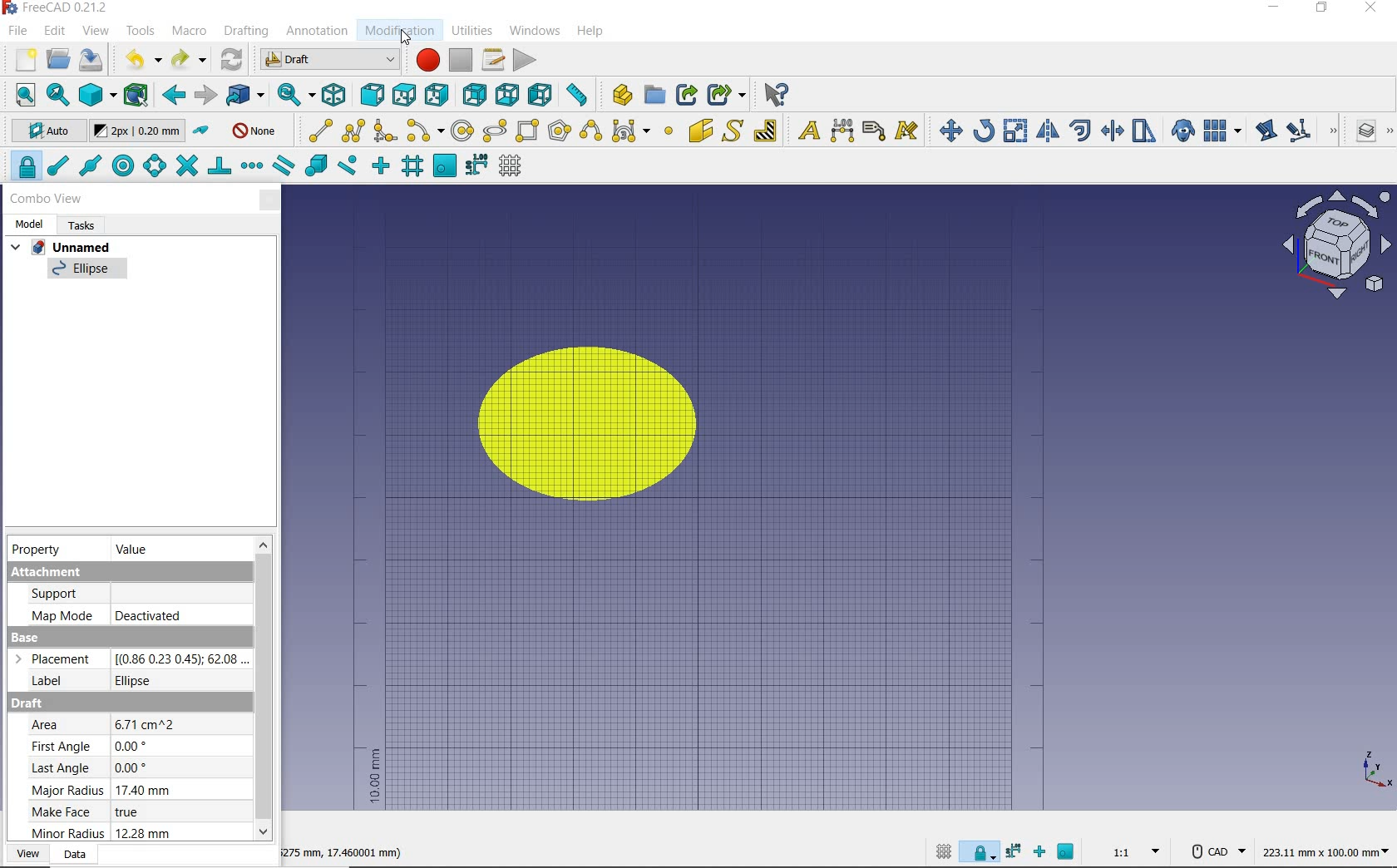 The width and height of the screenshot is (1397, 868). What do you see at coordinates (19, 94) in the screenshot?
I see `fit all` at bounding box center [19, 94].